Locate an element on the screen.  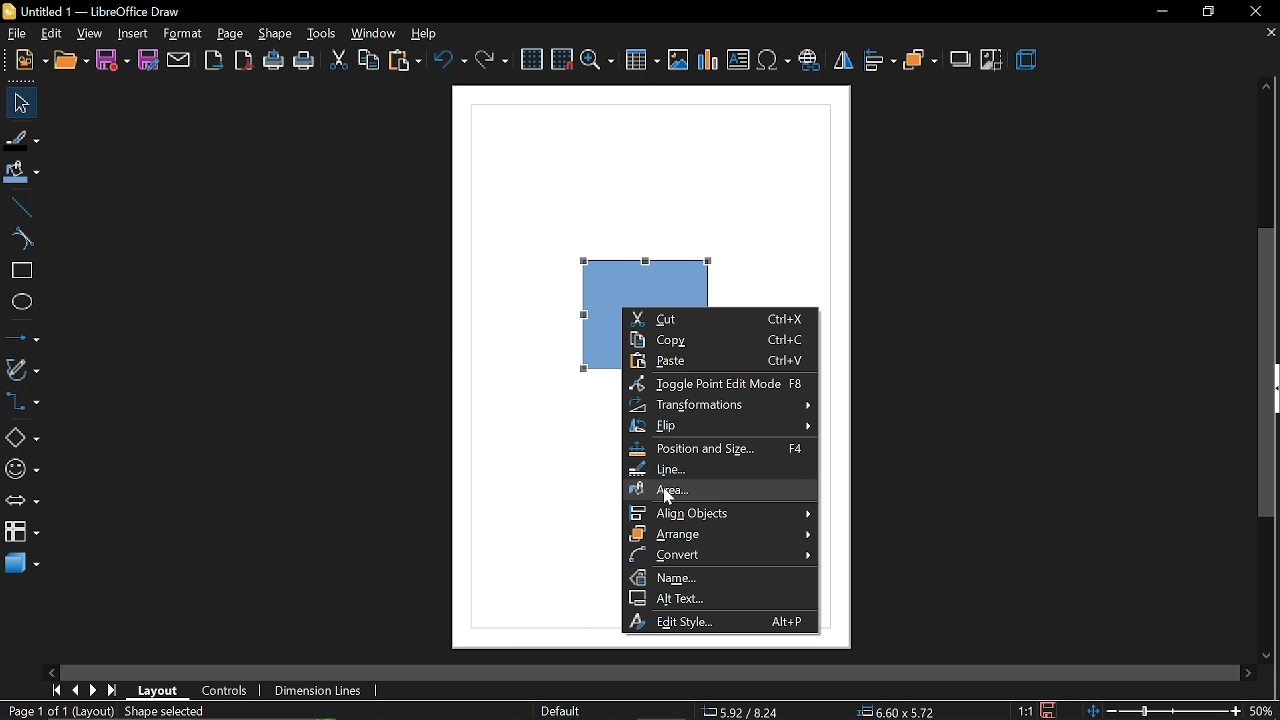
flowchart is located at coordinates (21, 530).